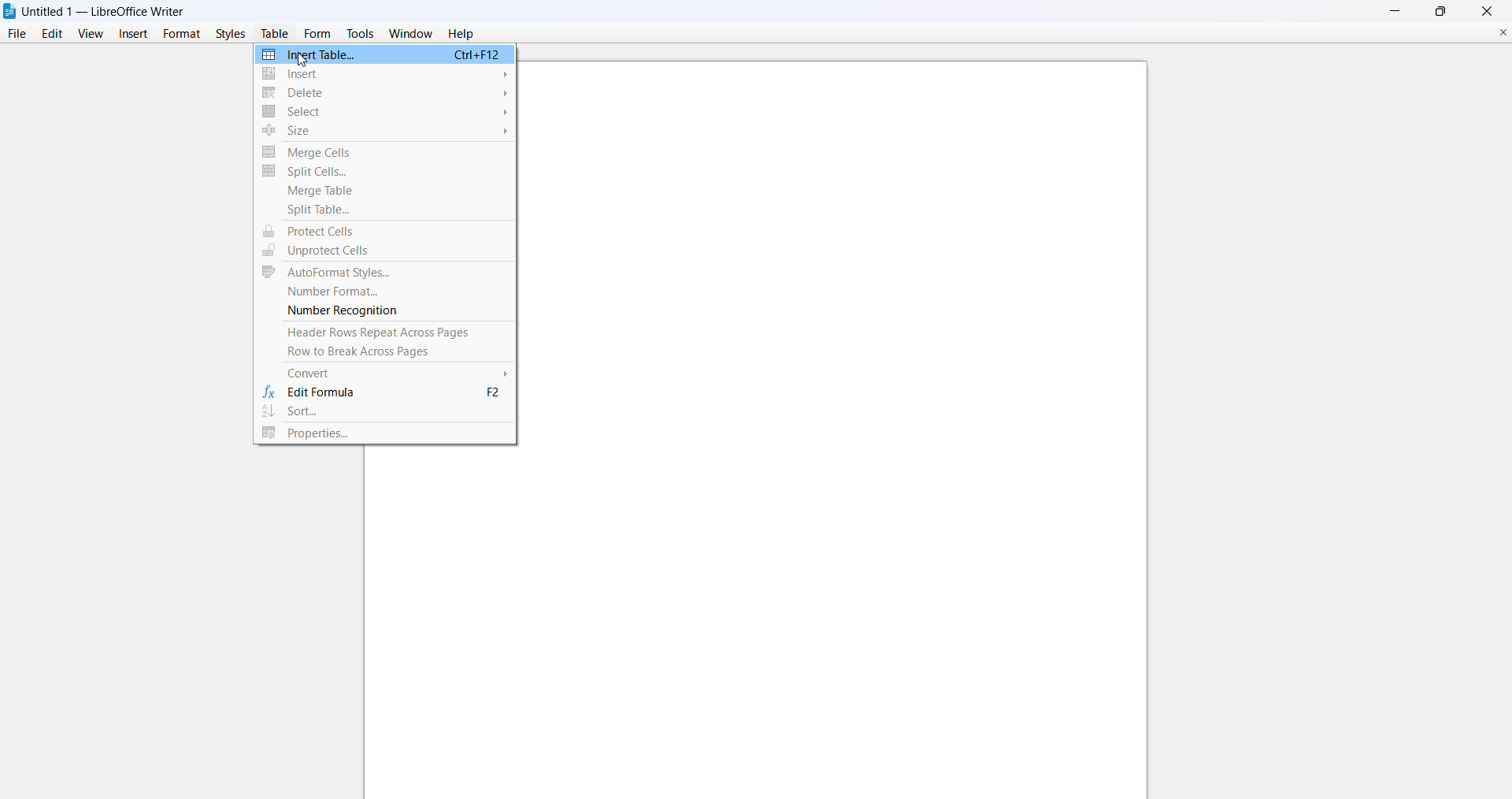 The height and width of the screenshot is (799, 1512). I want to click on view, so click(90, 33).